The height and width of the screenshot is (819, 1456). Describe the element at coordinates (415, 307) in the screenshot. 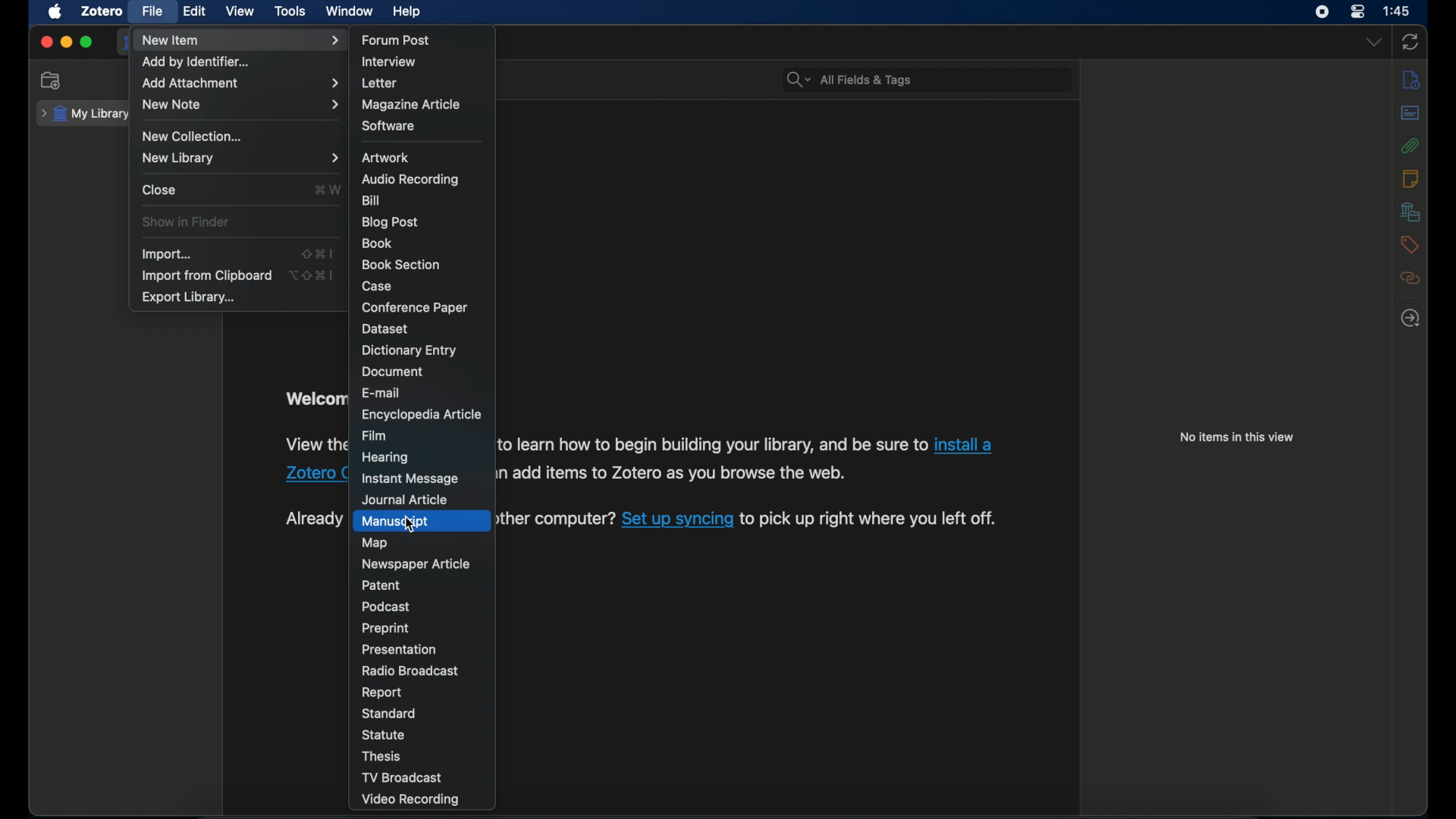

I see `conference paper` at that location.